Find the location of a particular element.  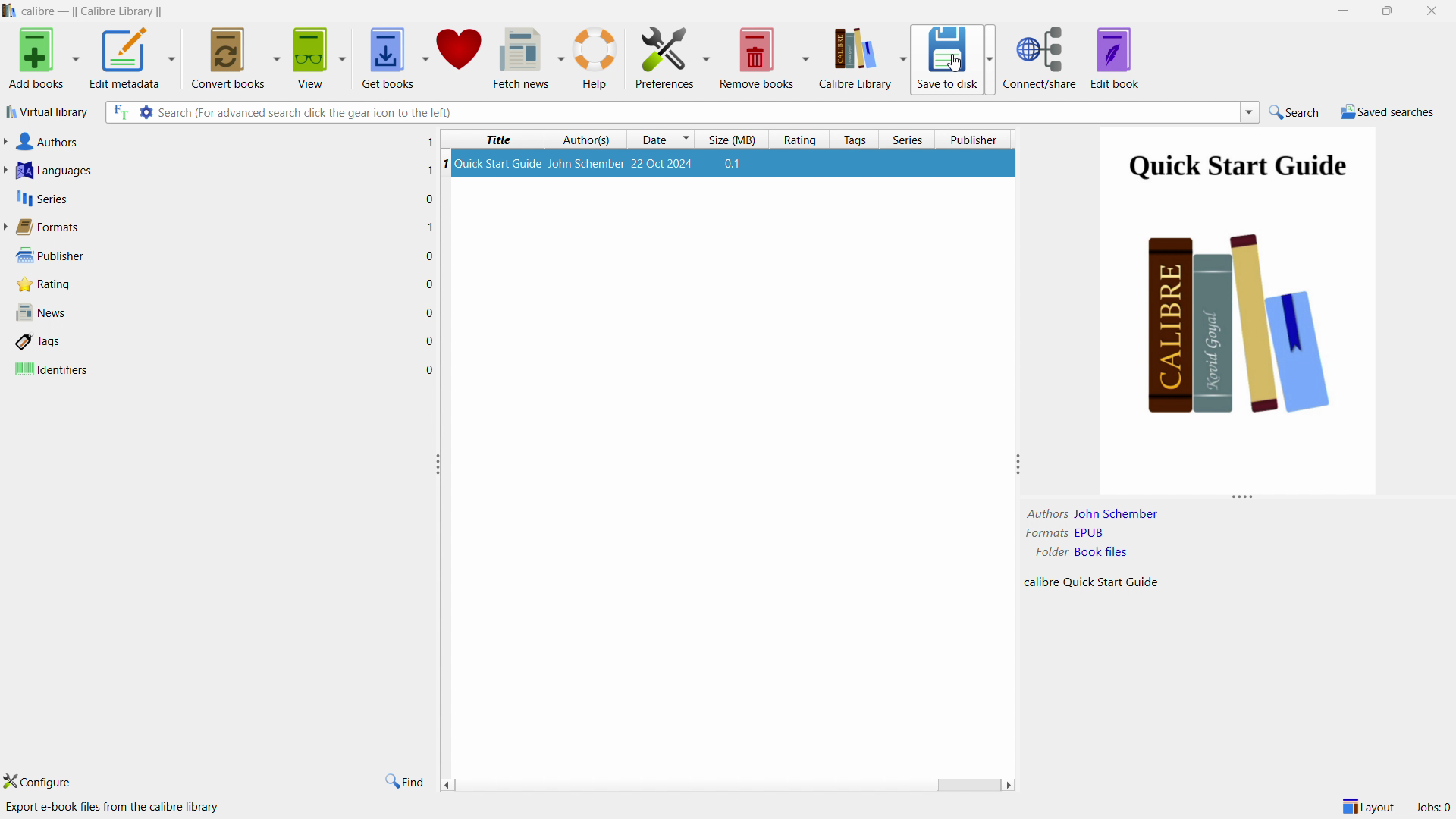

0 is located at coordinates (431, 370).